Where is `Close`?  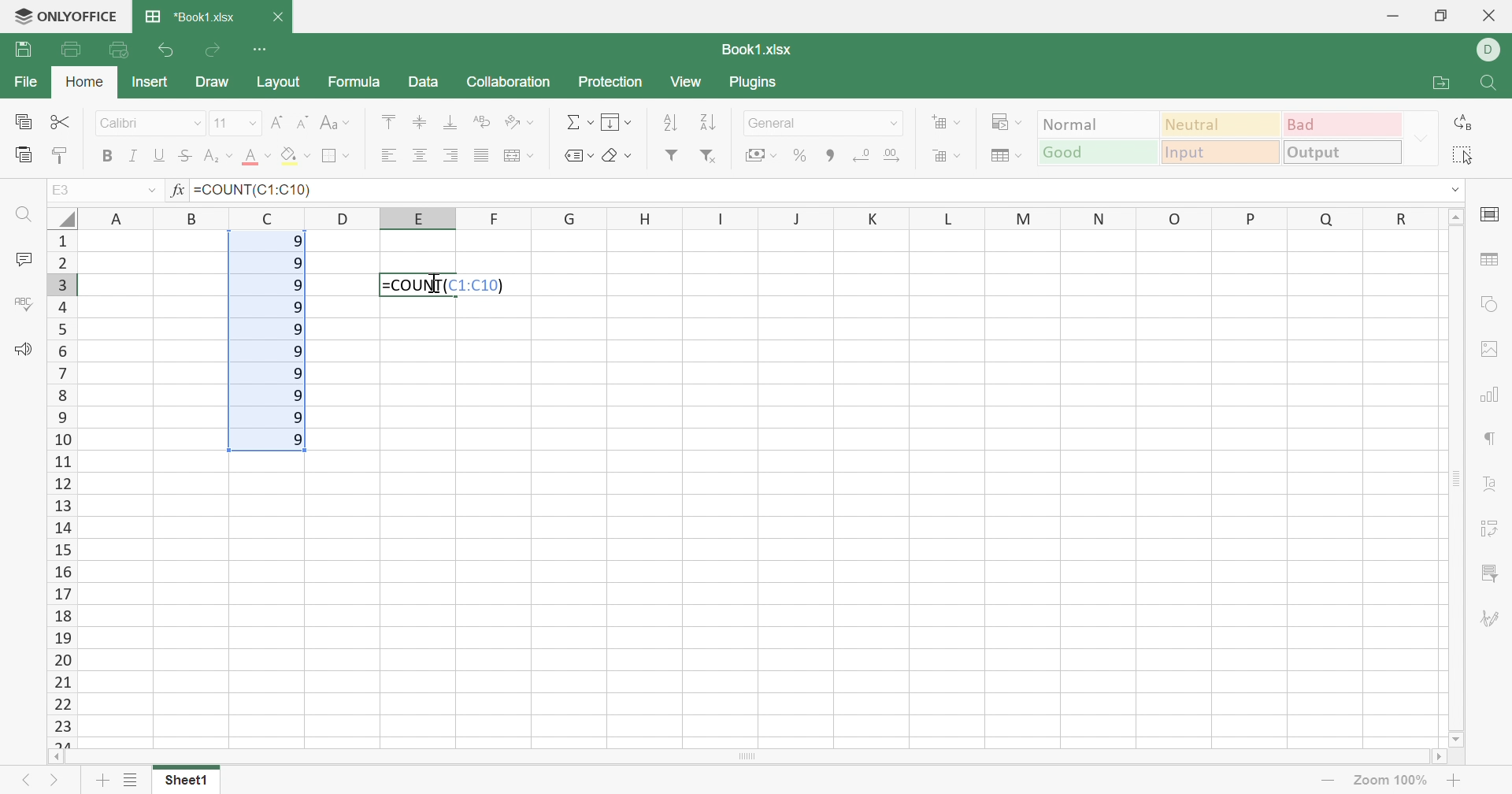 Close is located at coordinates (284, 18).